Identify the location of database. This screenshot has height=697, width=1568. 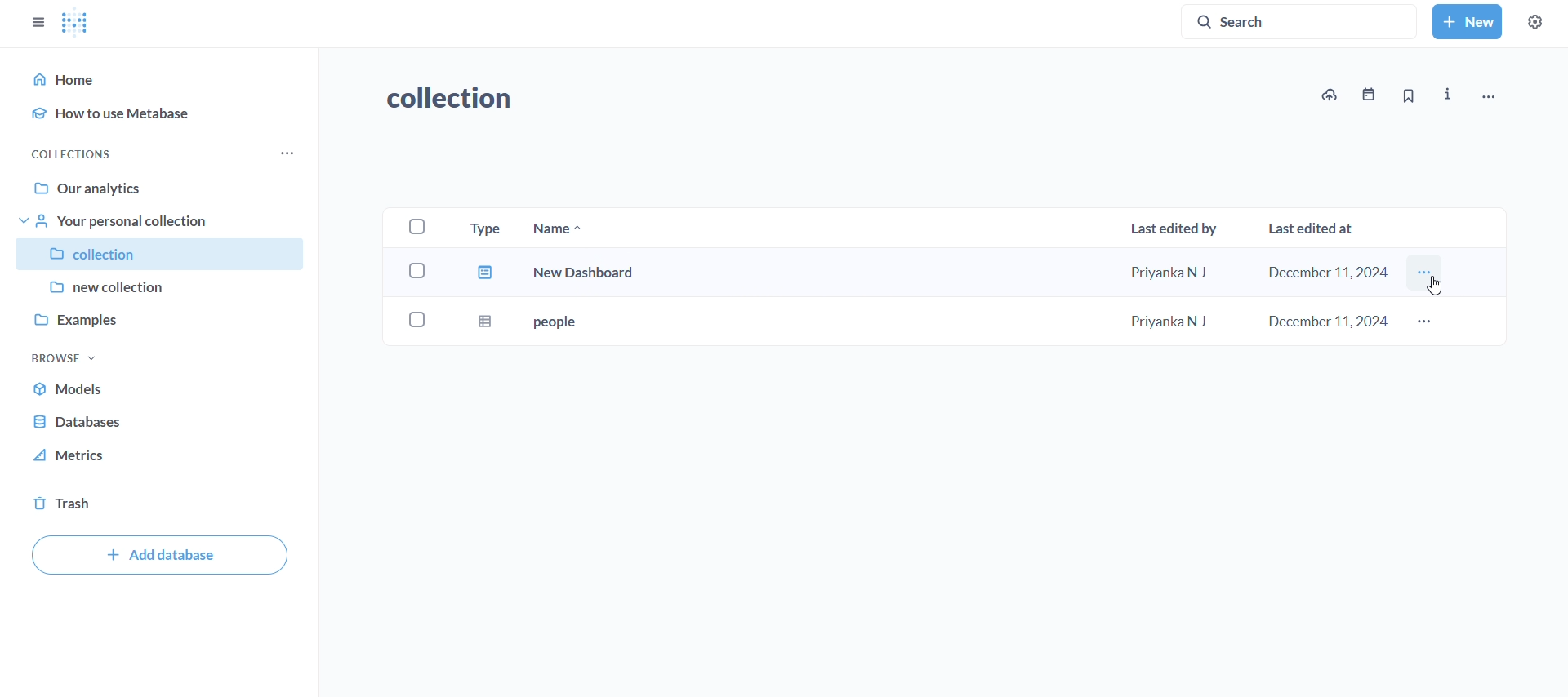
(83, 422).